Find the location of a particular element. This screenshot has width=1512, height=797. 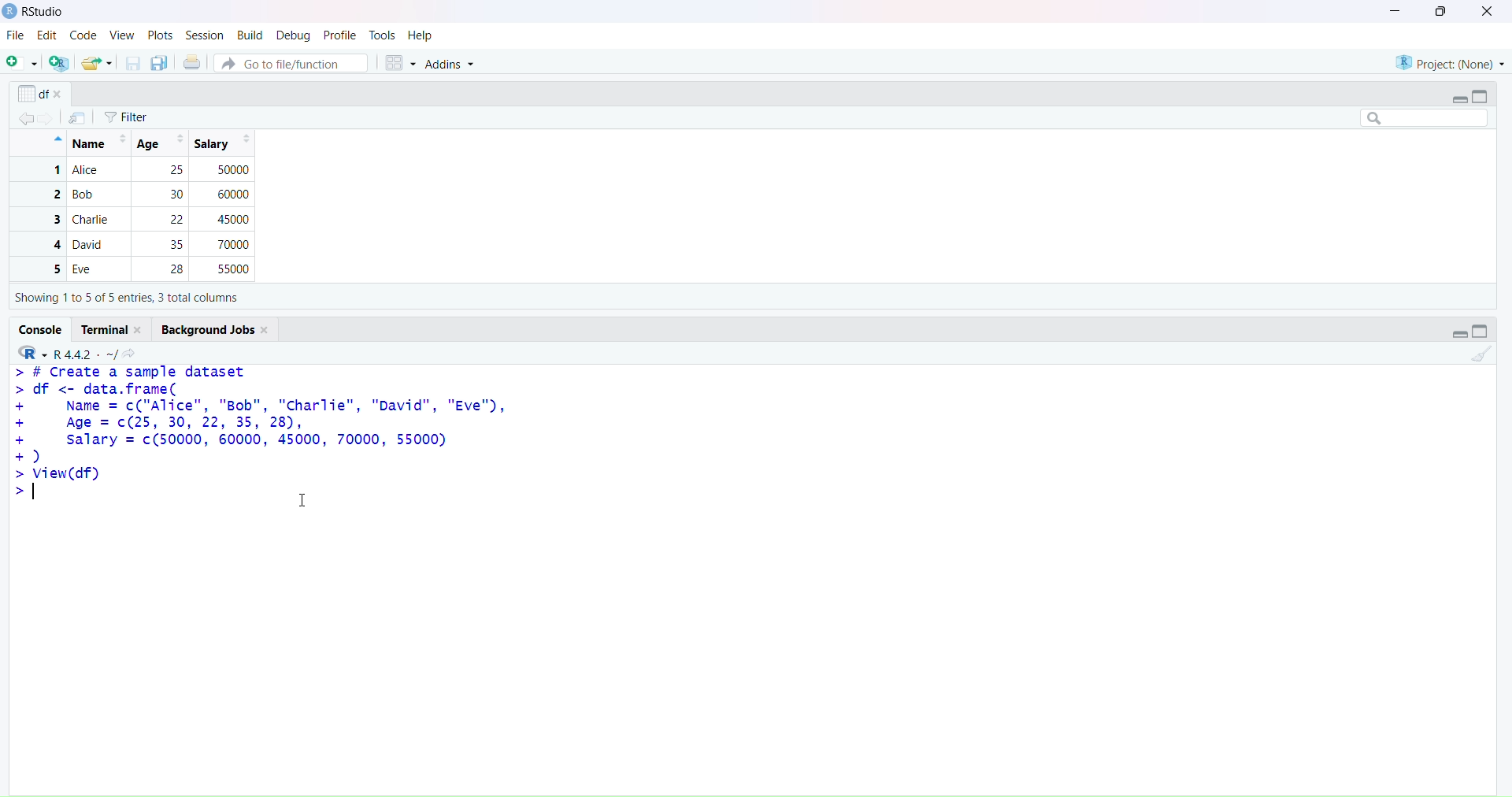

clear console is located at coordinates (1483, 354).